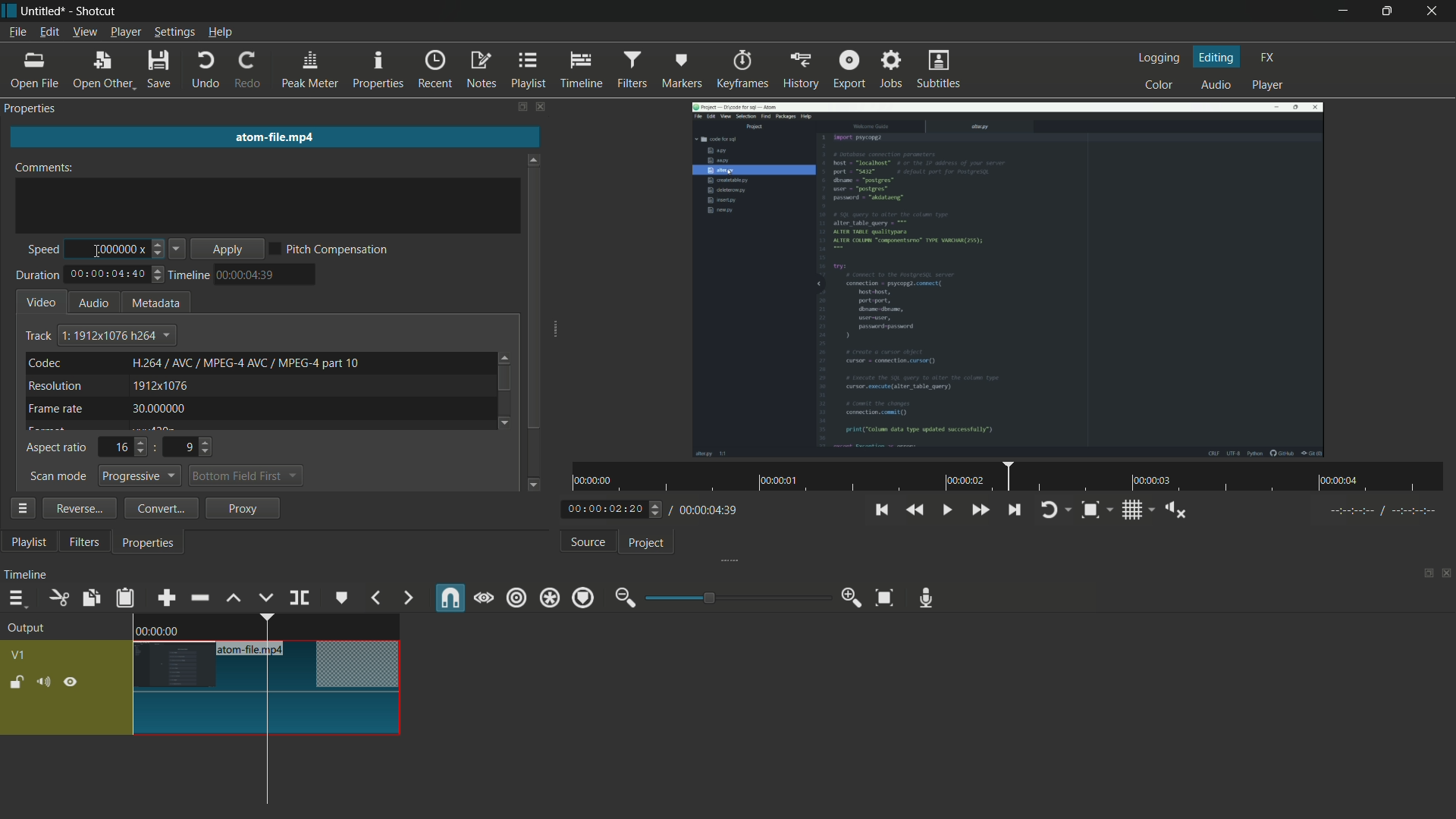 Image resolution: width=1456 pixels, height=819 pixels. What do you see at coordinates (199, 598) in the screenshot?
I see `ripple delete` at bounding box center [199, 598].